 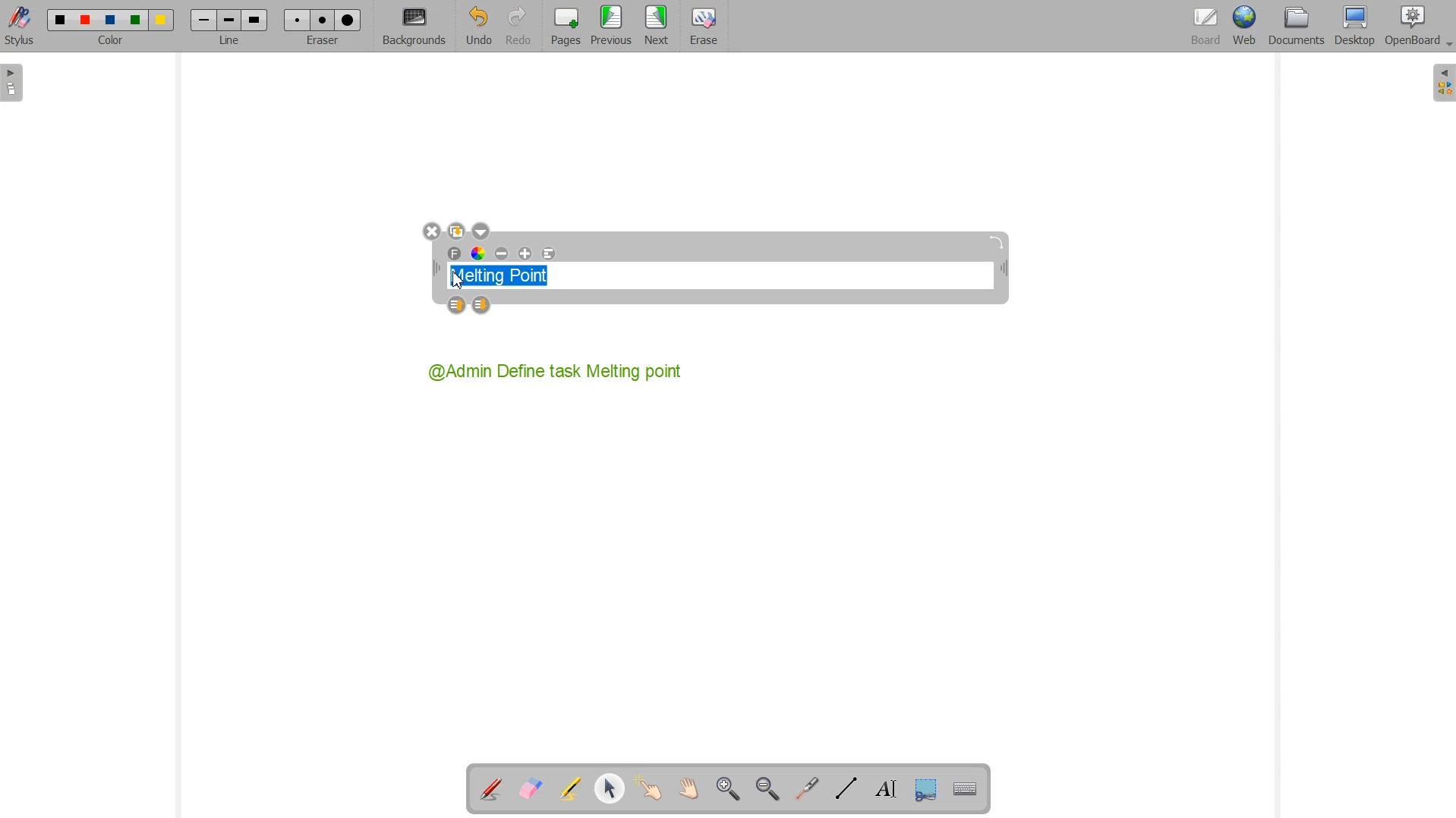 What do you see at coordinates (21, 27) in the screenshot?
I see `Stylus` at bounding box center [21, 27].